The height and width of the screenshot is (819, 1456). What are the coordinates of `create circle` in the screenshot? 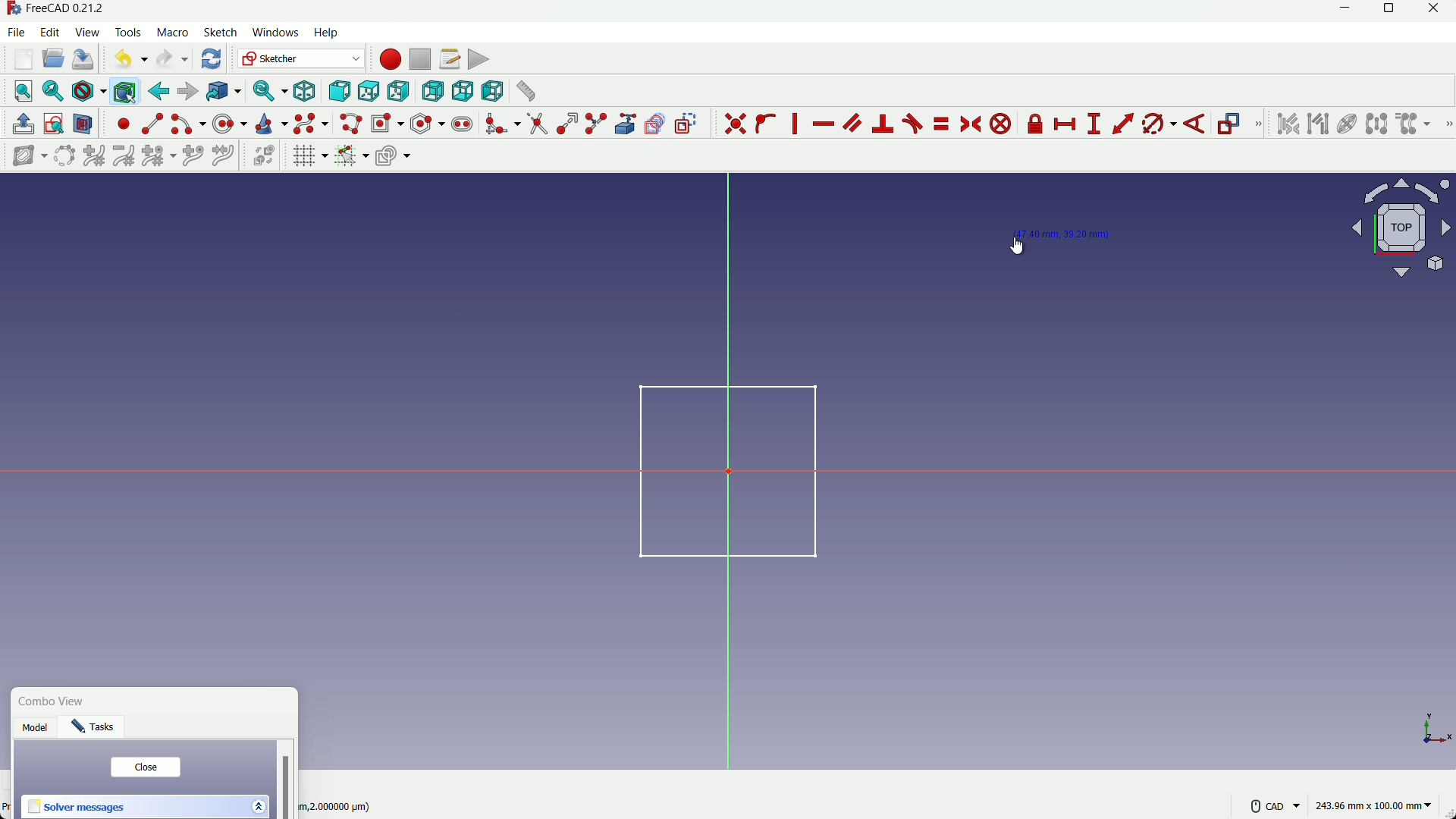 It's located at (231, 123).